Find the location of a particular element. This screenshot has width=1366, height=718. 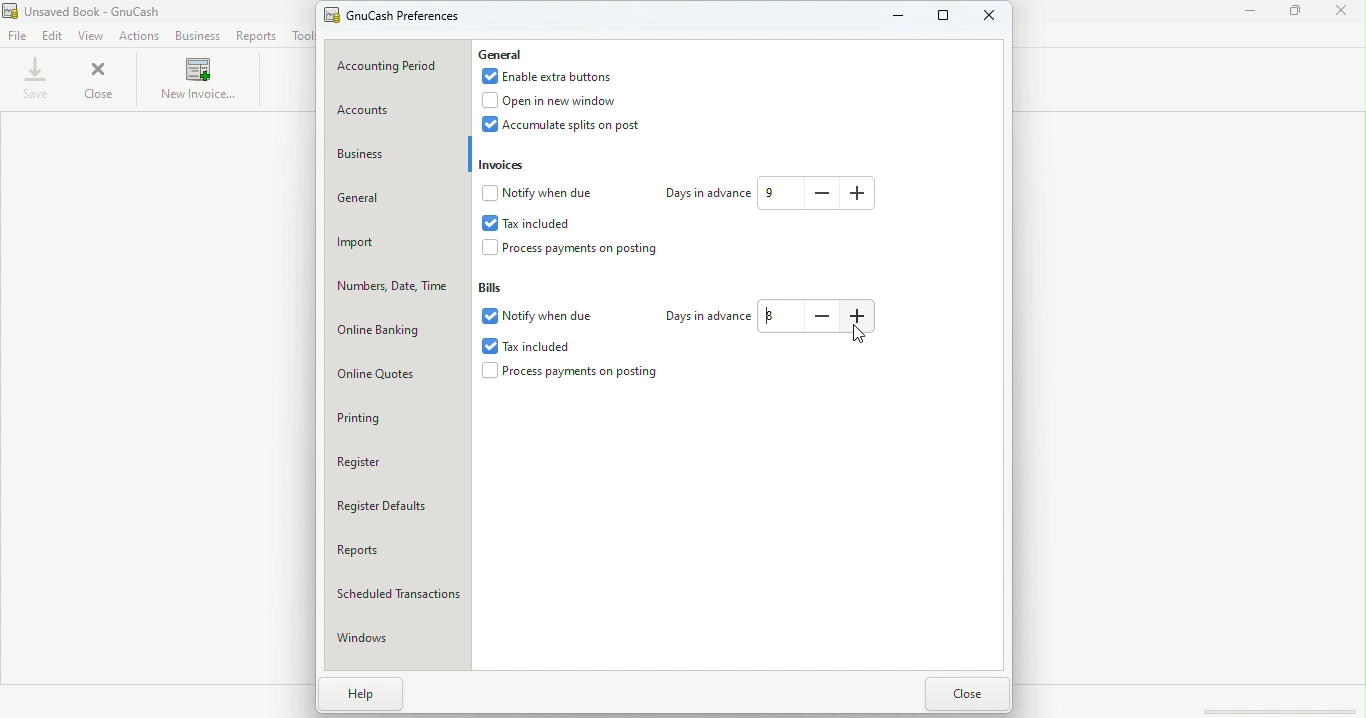

Maximize is located at coordinates (946, 19).